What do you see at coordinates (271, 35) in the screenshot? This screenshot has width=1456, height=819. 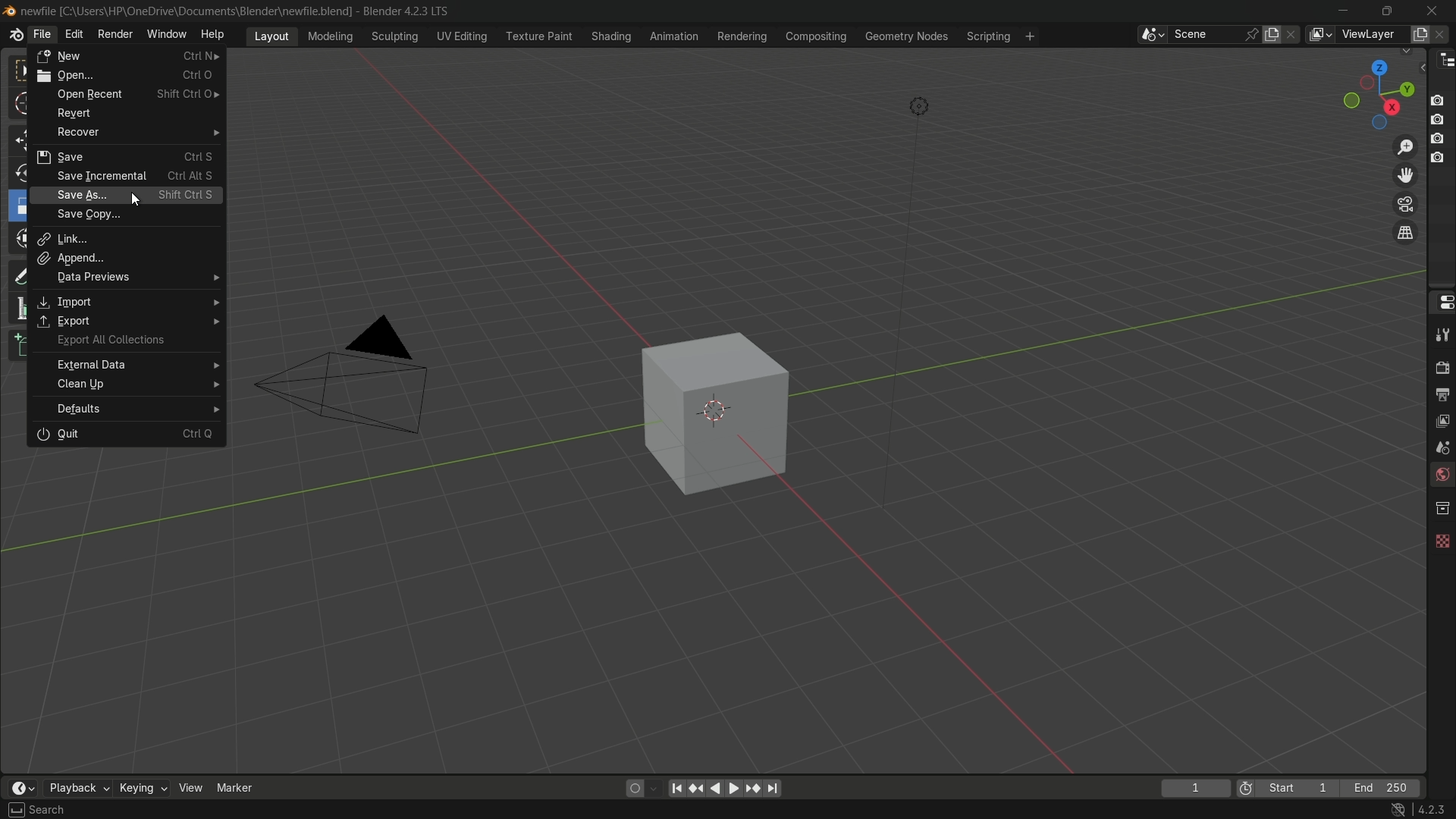 I see `layout menu` at bounding box center [271, 35].